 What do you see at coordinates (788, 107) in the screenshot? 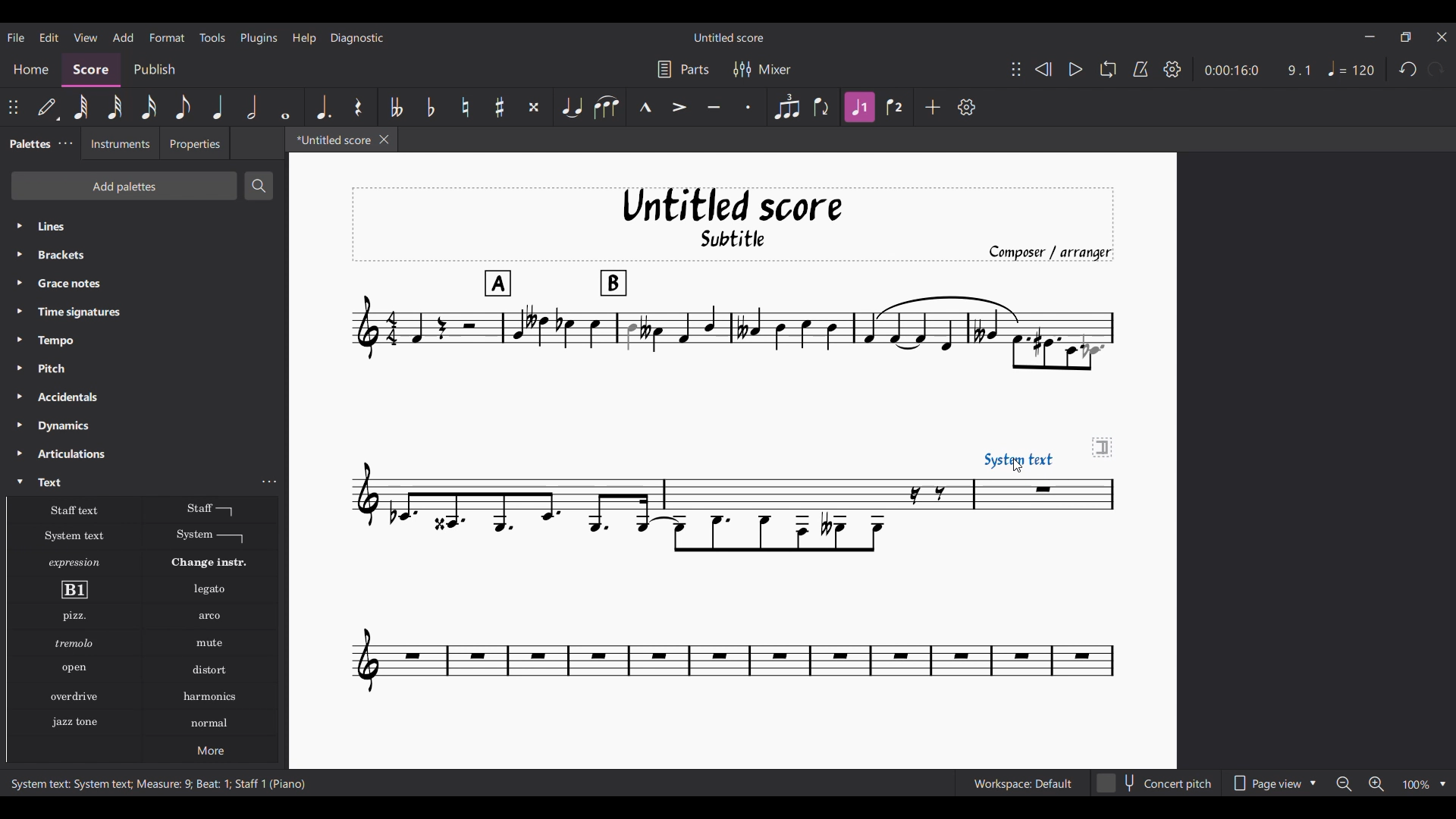
I see `Tuplet` at bounding box center [788, 107].